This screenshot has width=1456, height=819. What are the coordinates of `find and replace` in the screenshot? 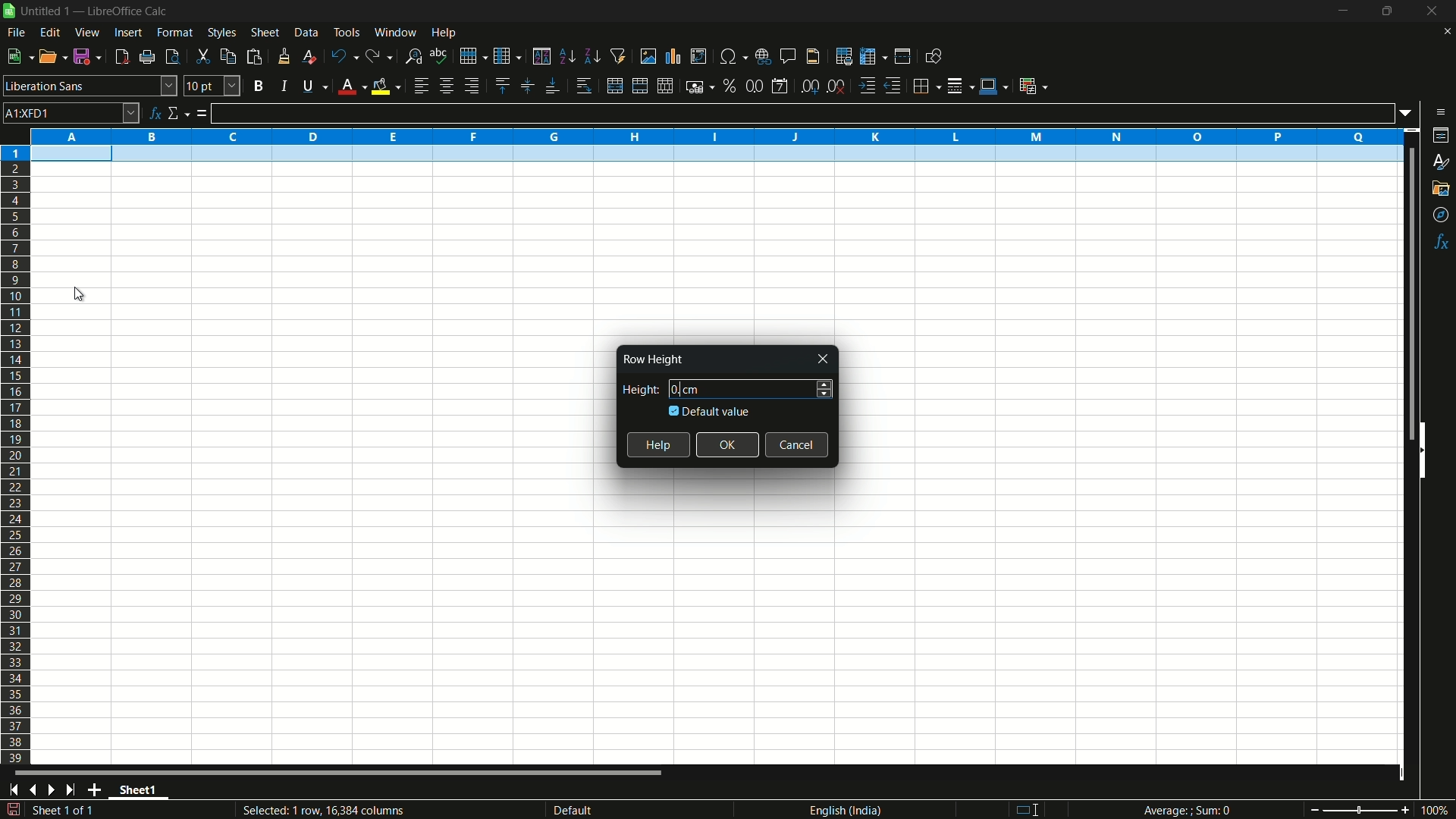 It's located at (414, 55).